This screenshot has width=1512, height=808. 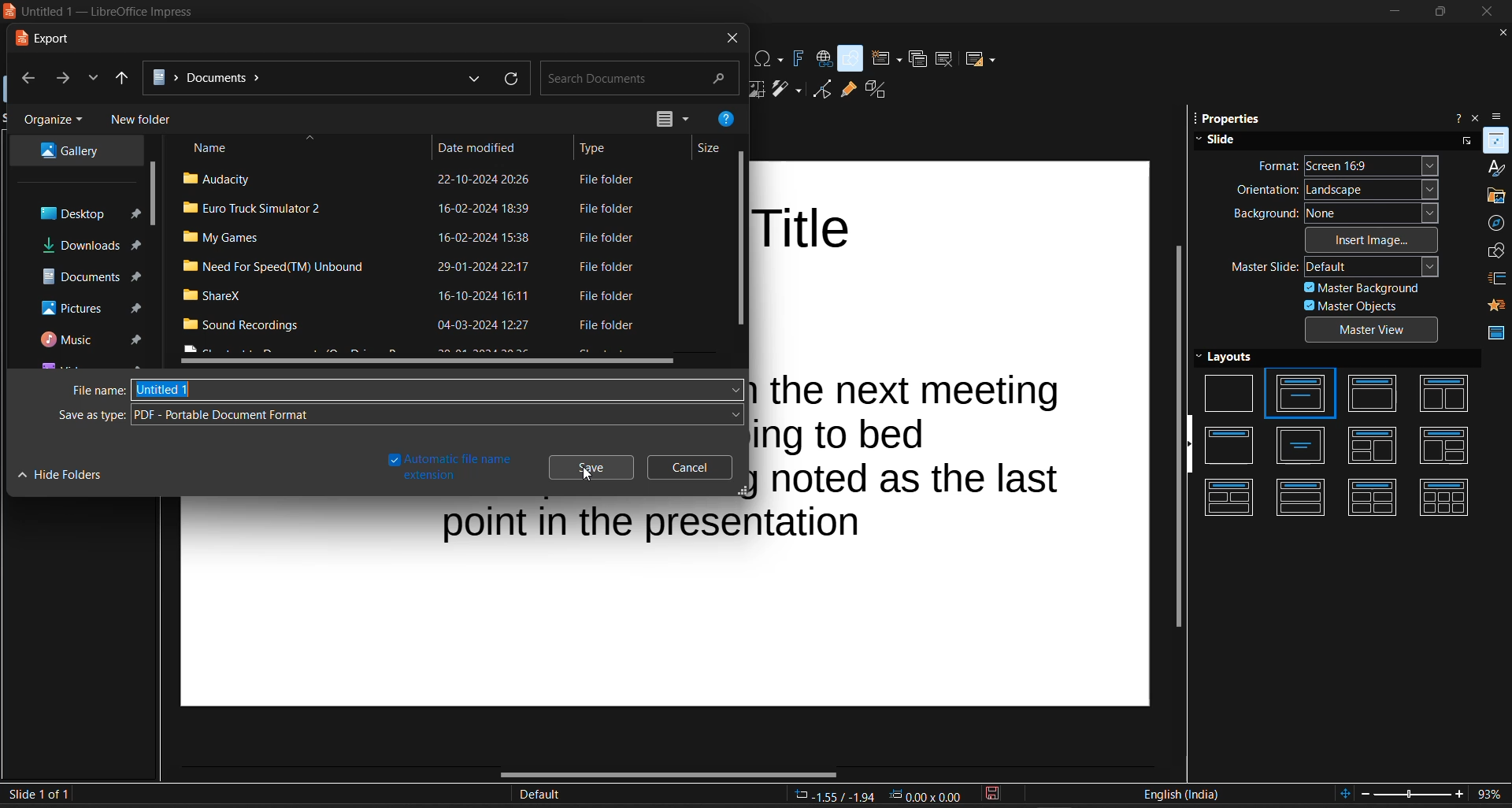 I want to click on File folder, so click(x=611, y=295).